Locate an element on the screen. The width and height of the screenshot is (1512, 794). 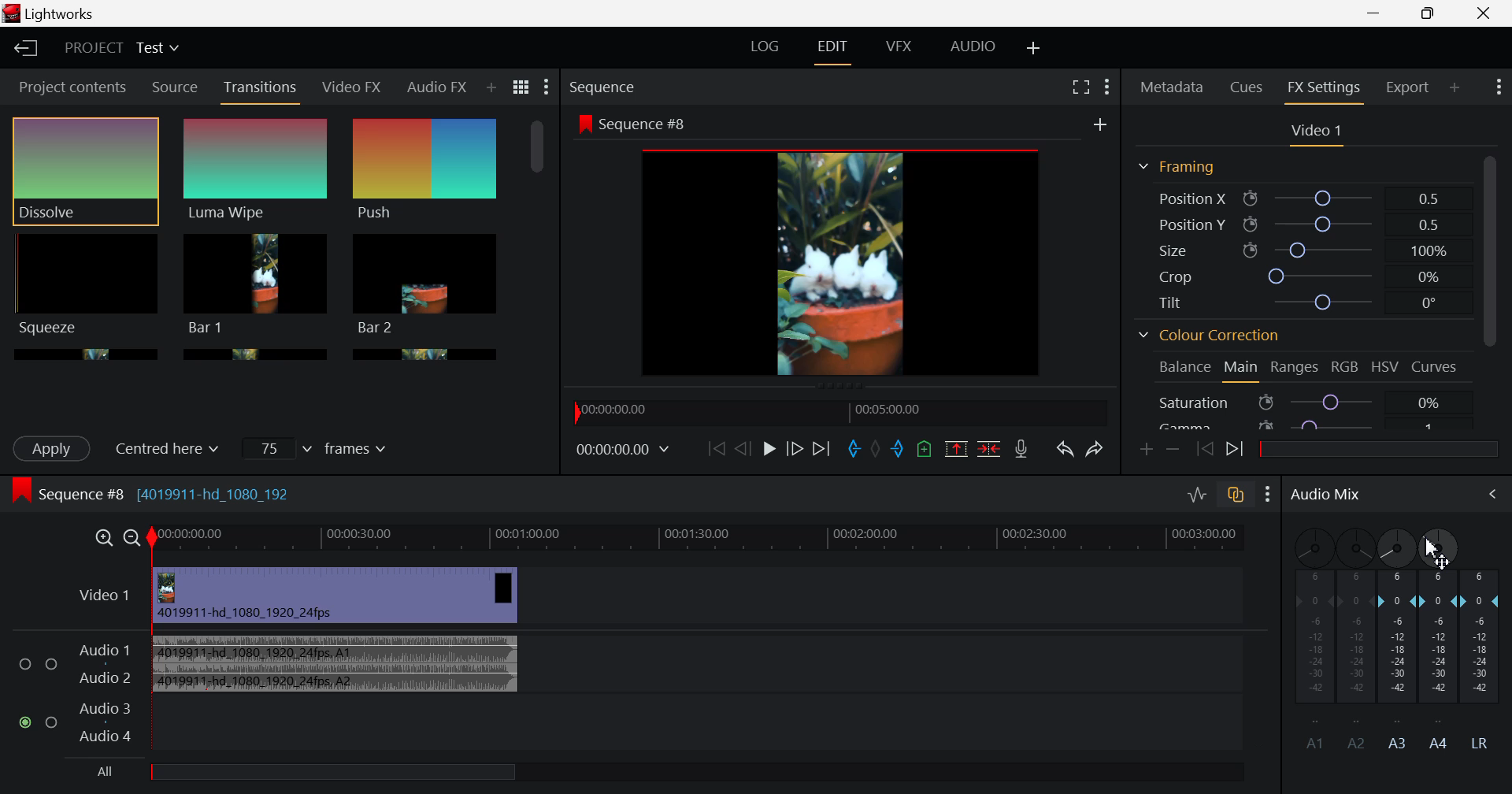
Lightworks is located at coordinates (76, 13).